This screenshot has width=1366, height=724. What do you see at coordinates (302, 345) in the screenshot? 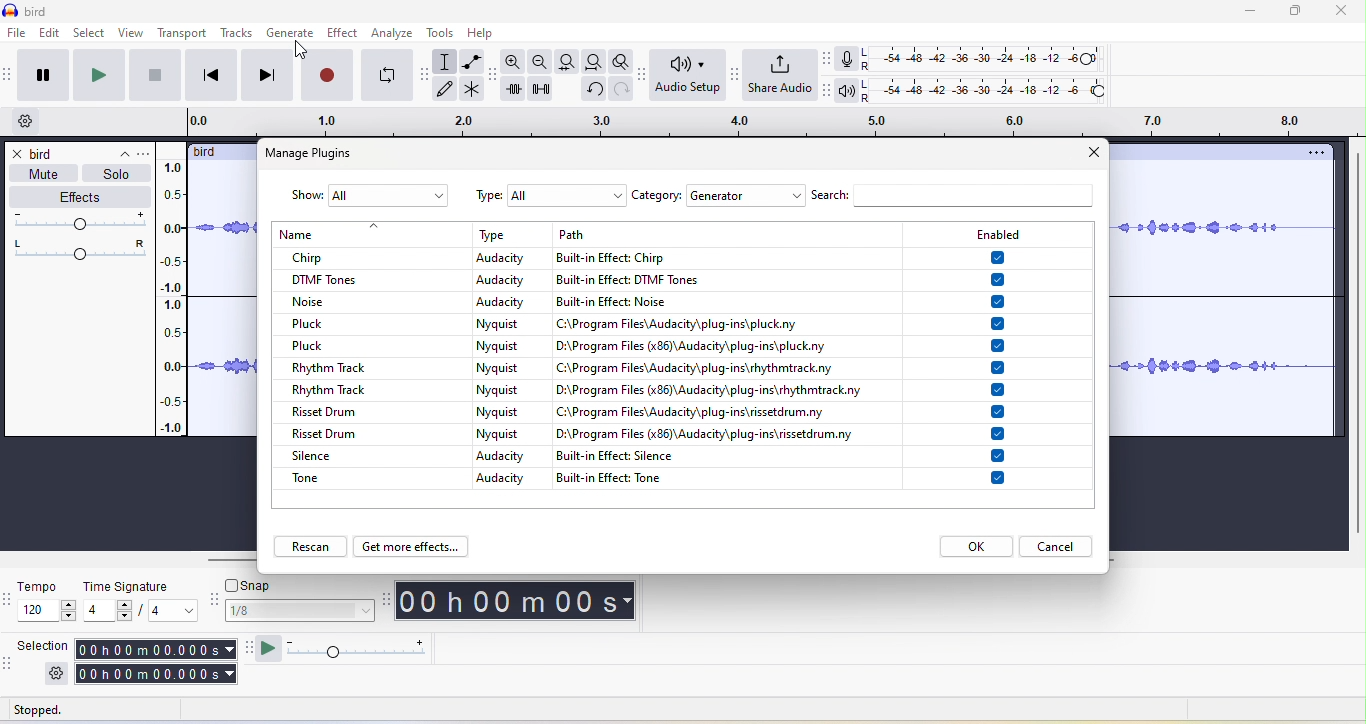
I see `pluck` at bounding box center [302, 345].